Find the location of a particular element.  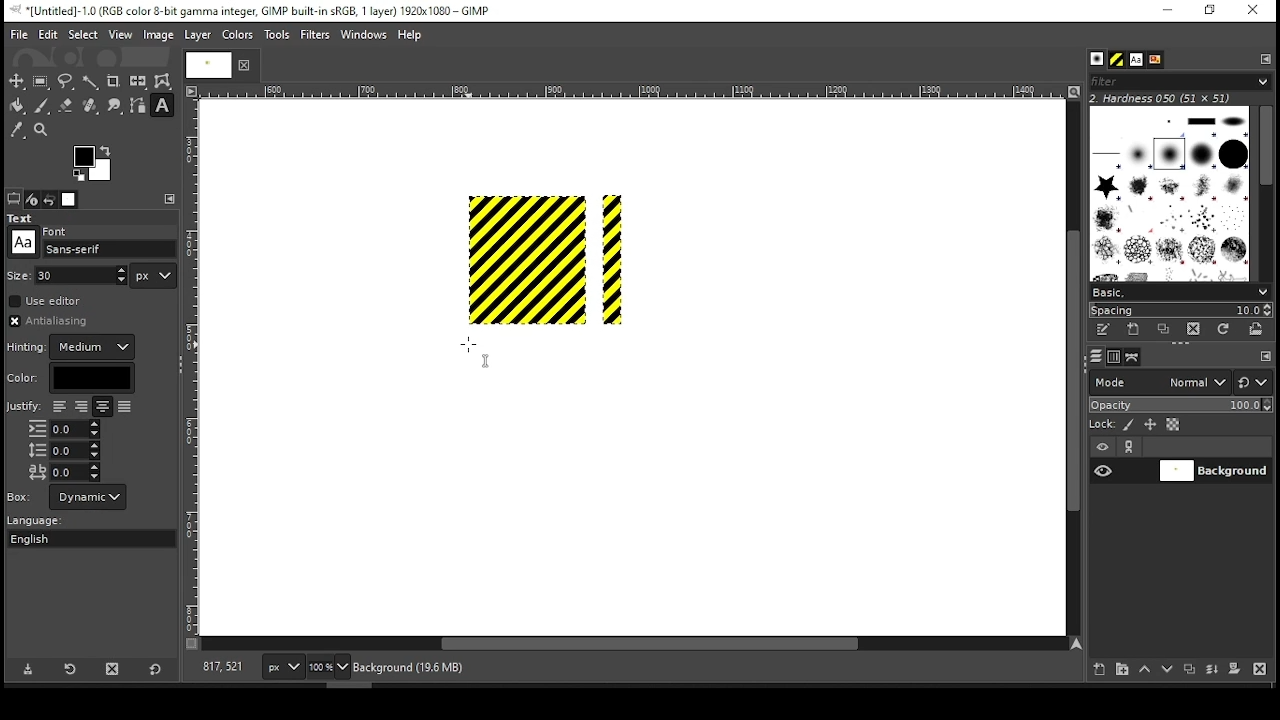

close is located at coordinates (242, 65).